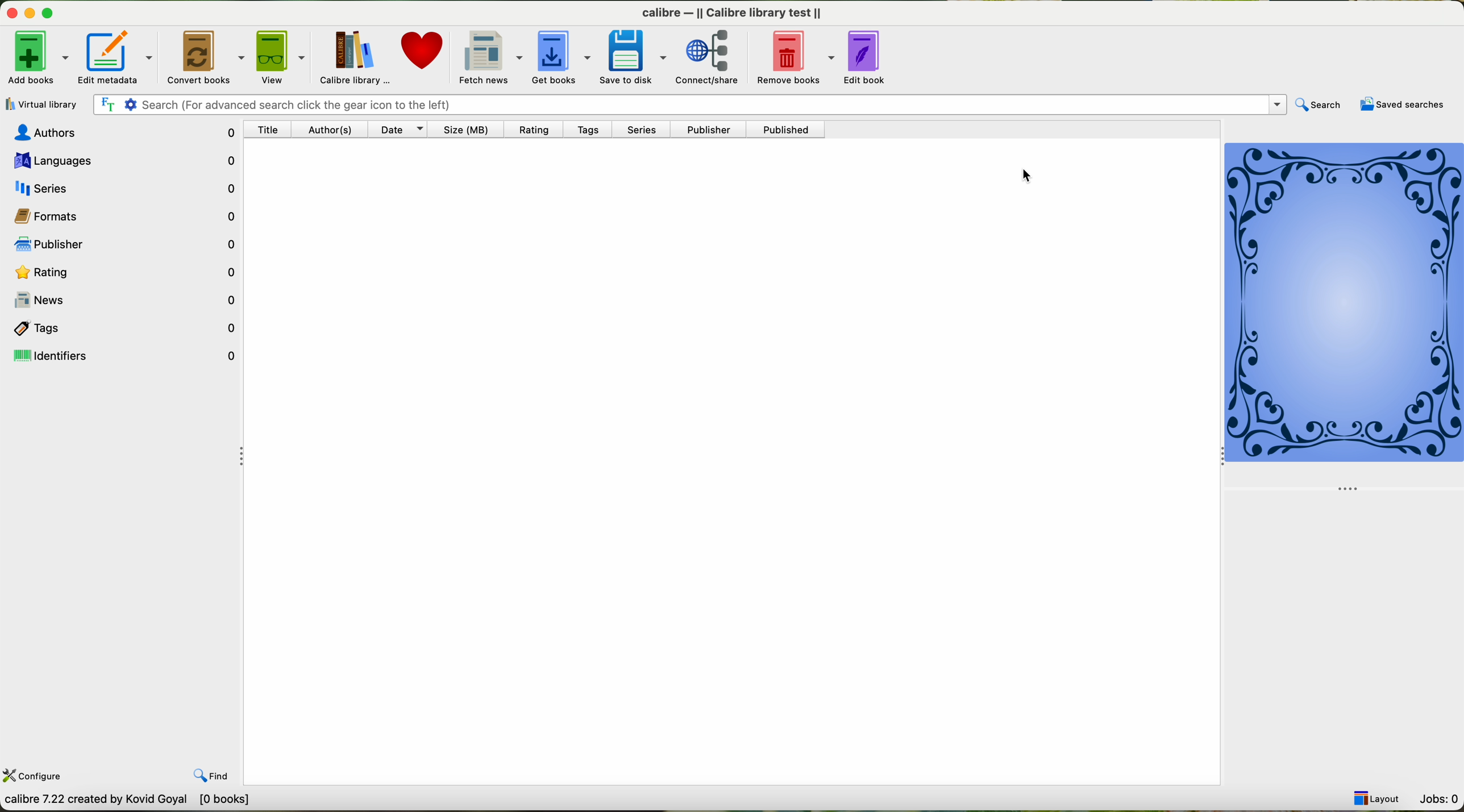 The height and width of the screenshot is (812, 1464). Describe the element at coordinates (479, 56) in the screenshot. I see `fetch news` at that location.